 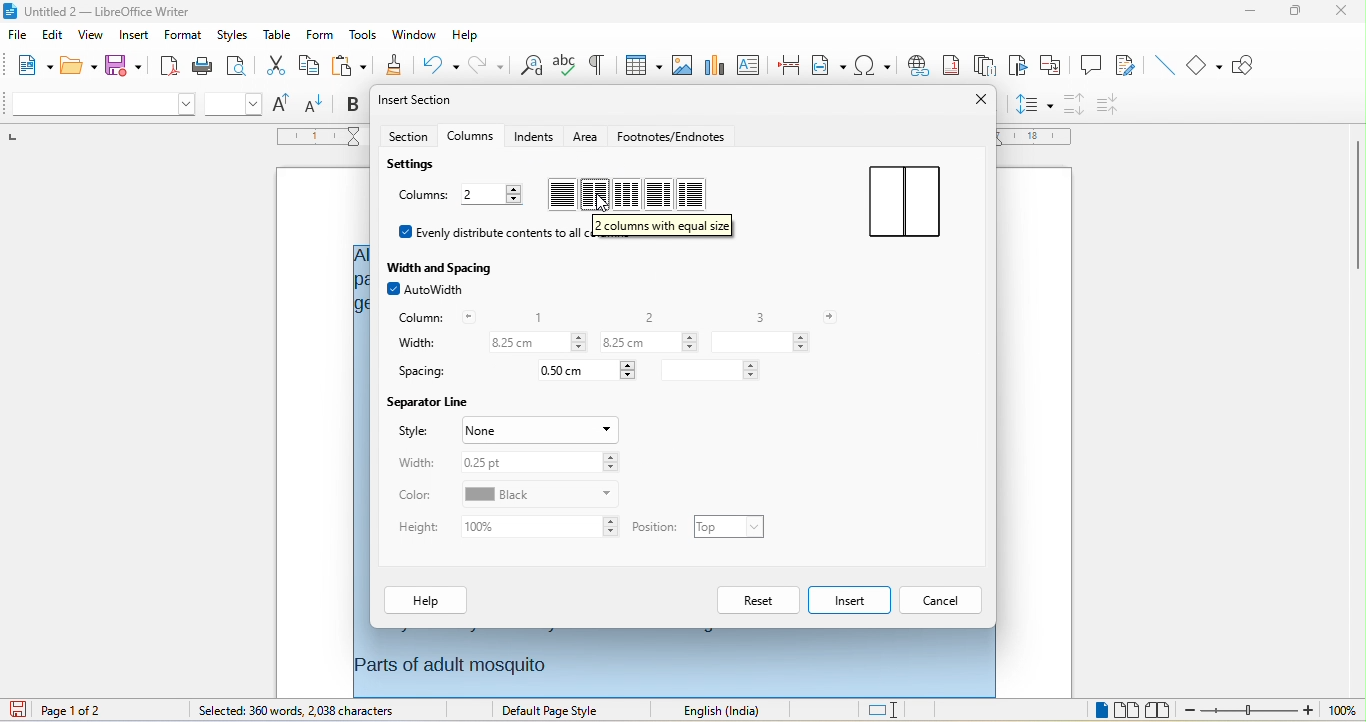 I want to click on cancel, so click(x=944, y=600).